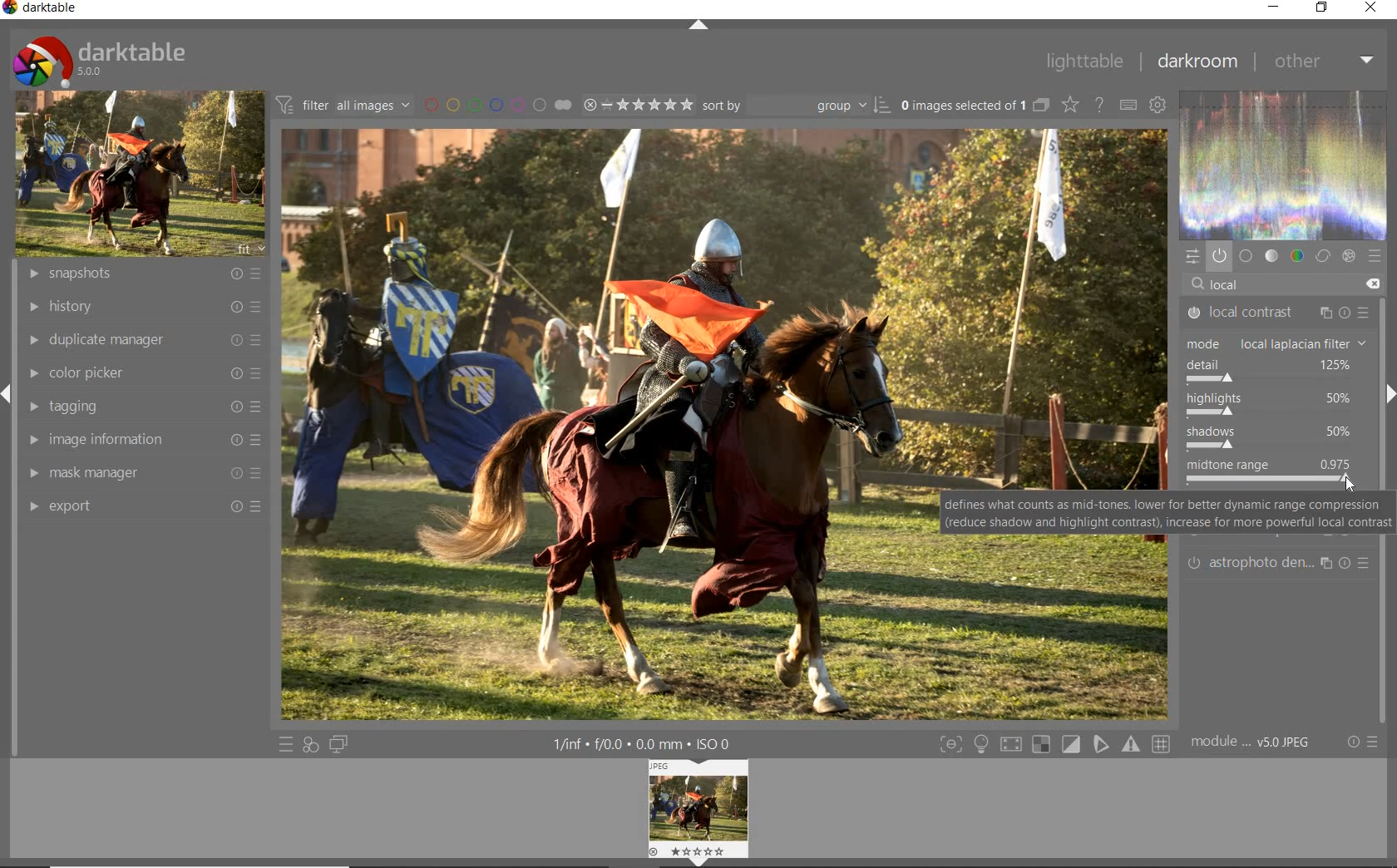 The width and height of the screenshot is (1397, 868). Describe the element at coordinates (99, 60) in the screenshot. I see `system logo & name` at that location.